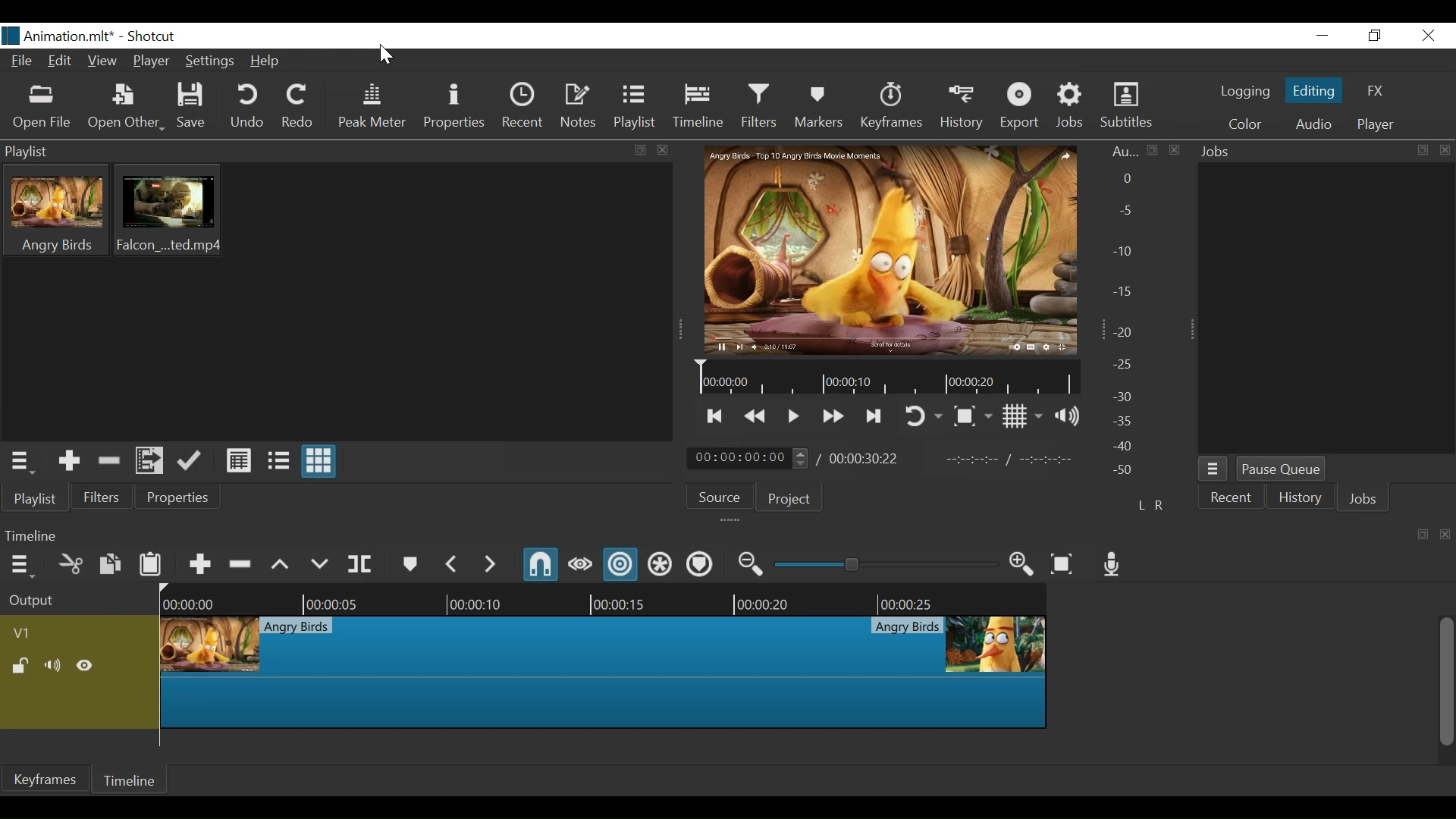  What do you see at coordinates (875, 418) in the screenshot?
I see `Skip to the next point` at bounding box center [875, 418].